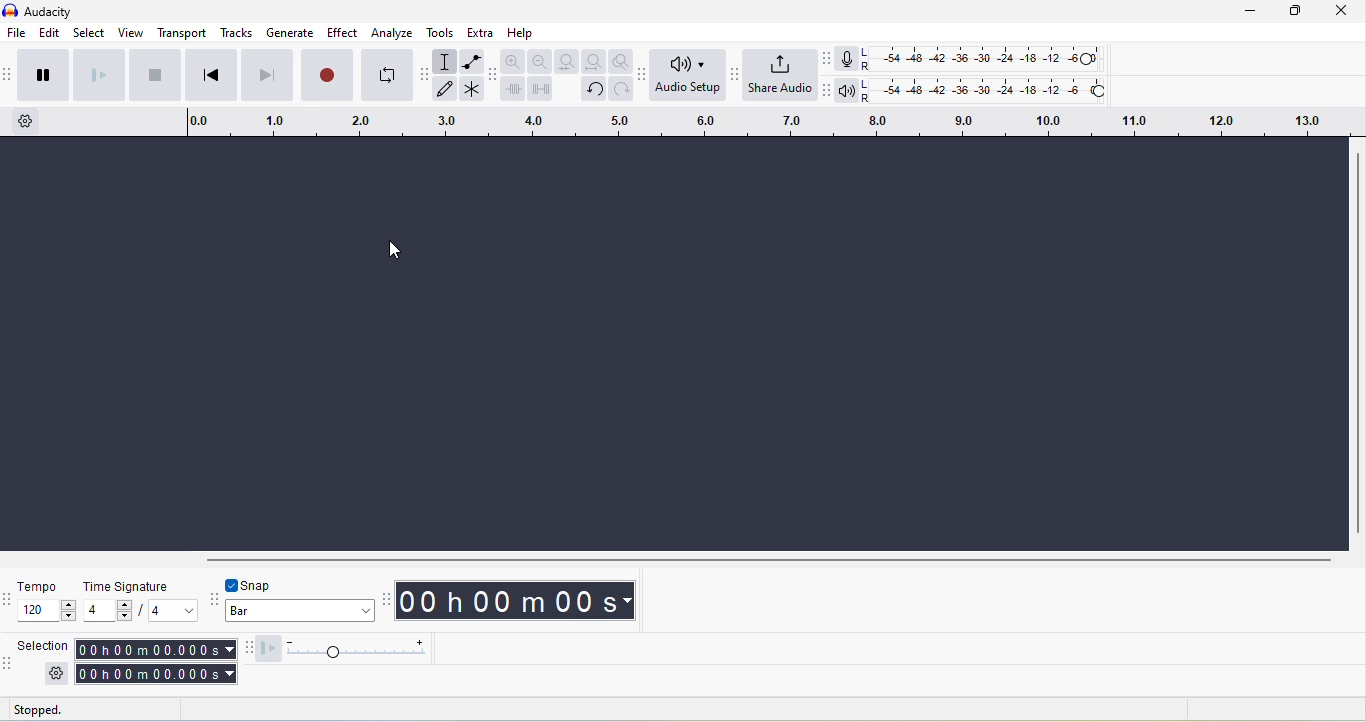 This screenshot has height=722, width=1366. What do you see at coordinates (539, 90) in the screenshot?
I see `silence audio selection` at bounding box center [539, 90].